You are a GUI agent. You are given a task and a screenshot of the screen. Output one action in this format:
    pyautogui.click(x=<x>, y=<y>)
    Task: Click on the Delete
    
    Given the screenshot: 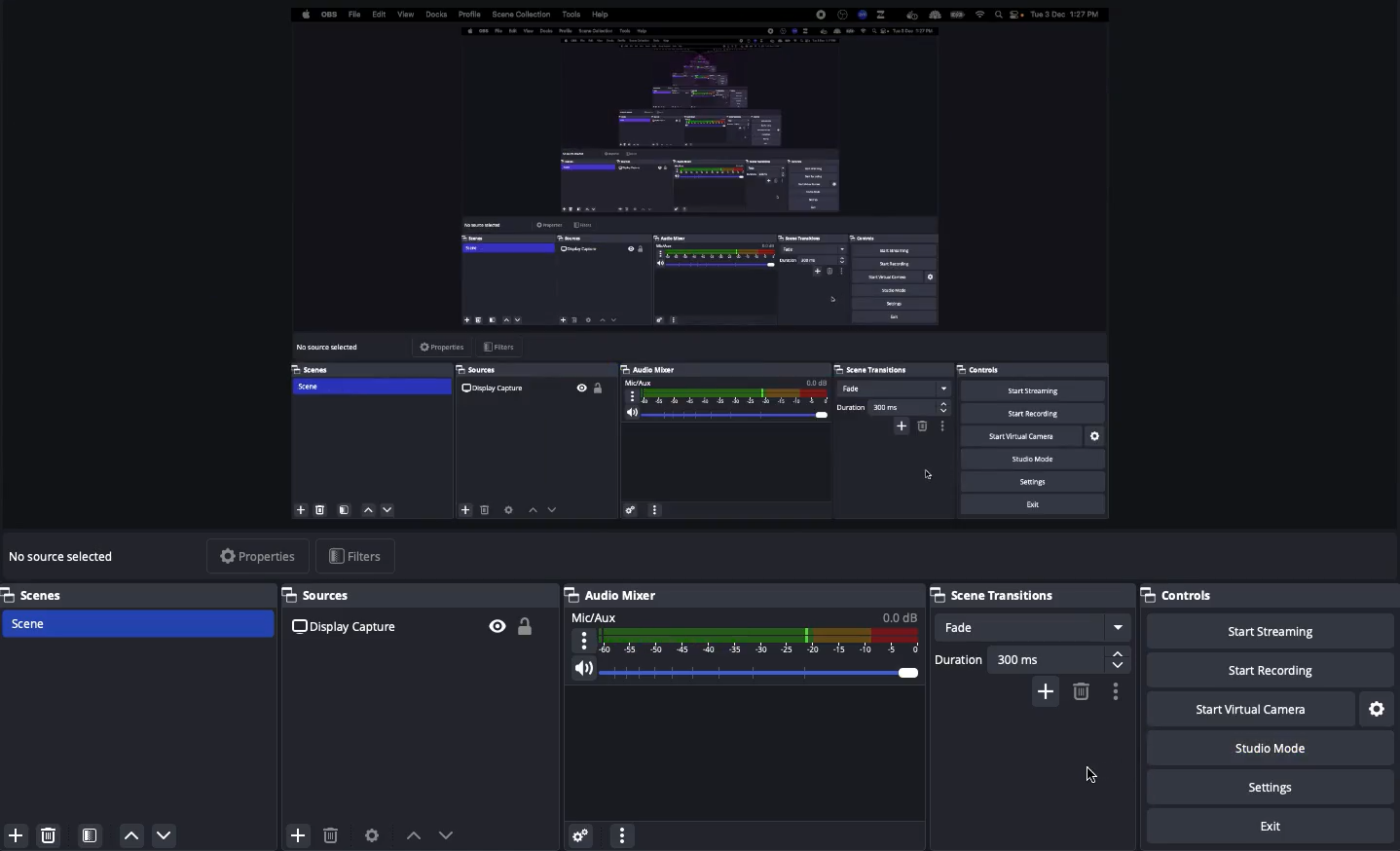 What is the action you would take?
    pyautogui.click(x=1080, y=691)
    